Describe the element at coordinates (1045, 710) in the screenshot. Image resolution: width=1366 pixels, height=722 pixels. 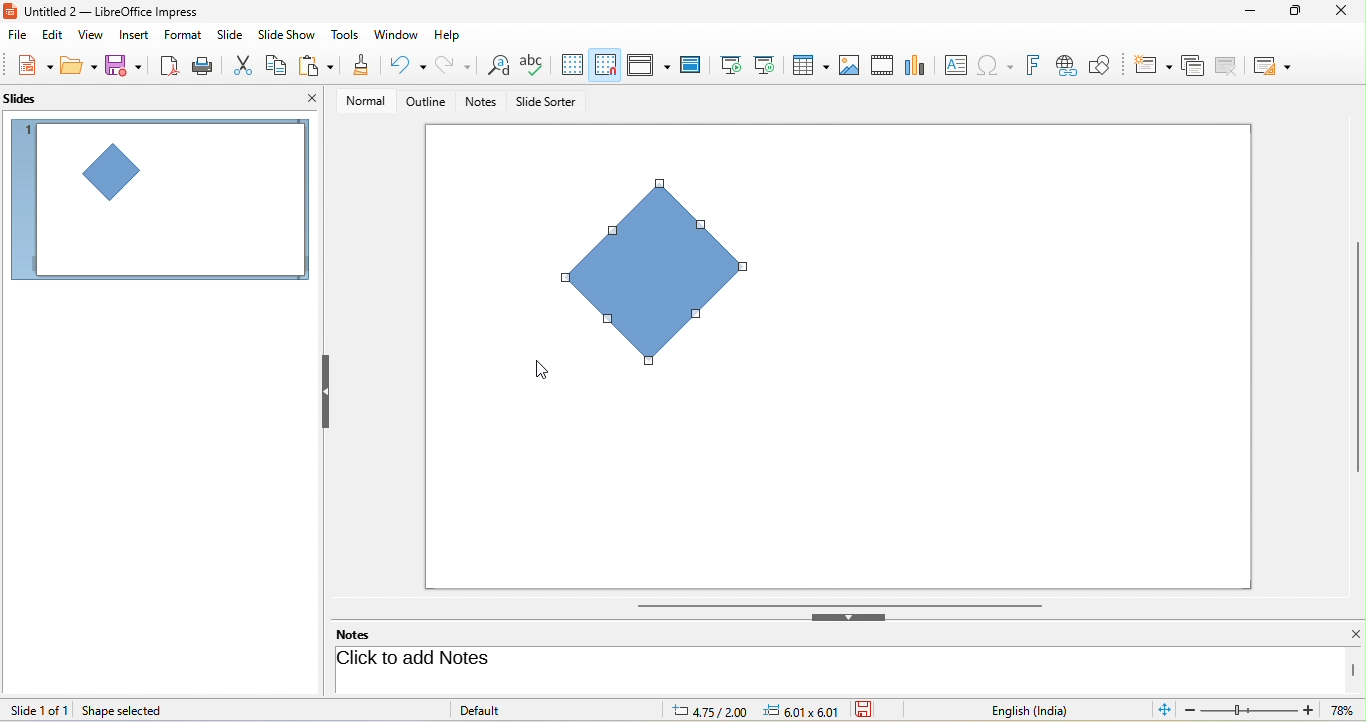
I see `text language` at that location.